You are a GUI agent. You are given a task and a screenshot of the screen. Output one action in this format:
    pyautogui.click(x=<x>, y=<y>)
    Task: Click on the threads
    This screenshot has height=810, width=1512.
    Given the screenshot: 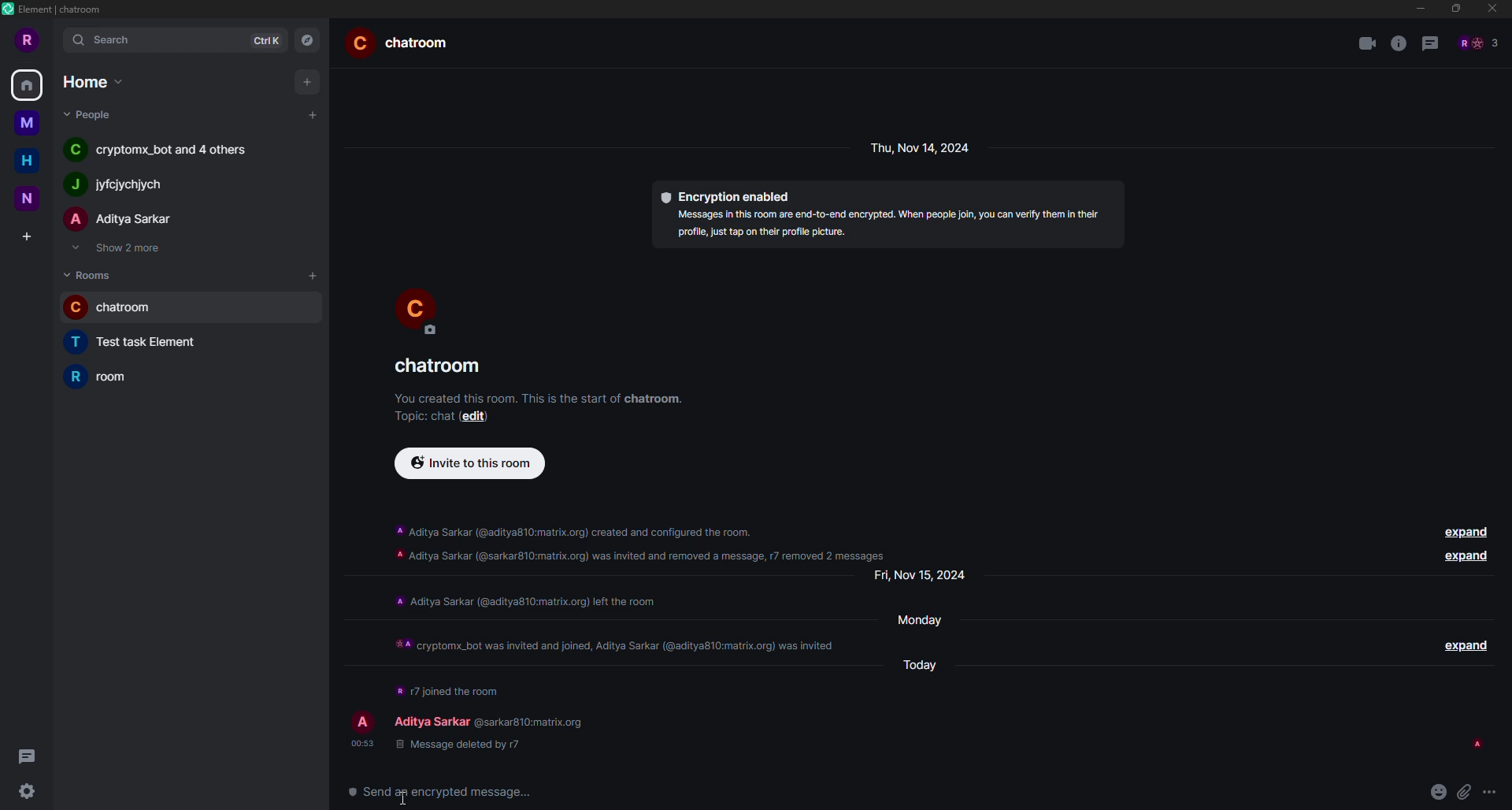 What is the action you would take?
    pyautogui.click(x=1430, y=44)
    